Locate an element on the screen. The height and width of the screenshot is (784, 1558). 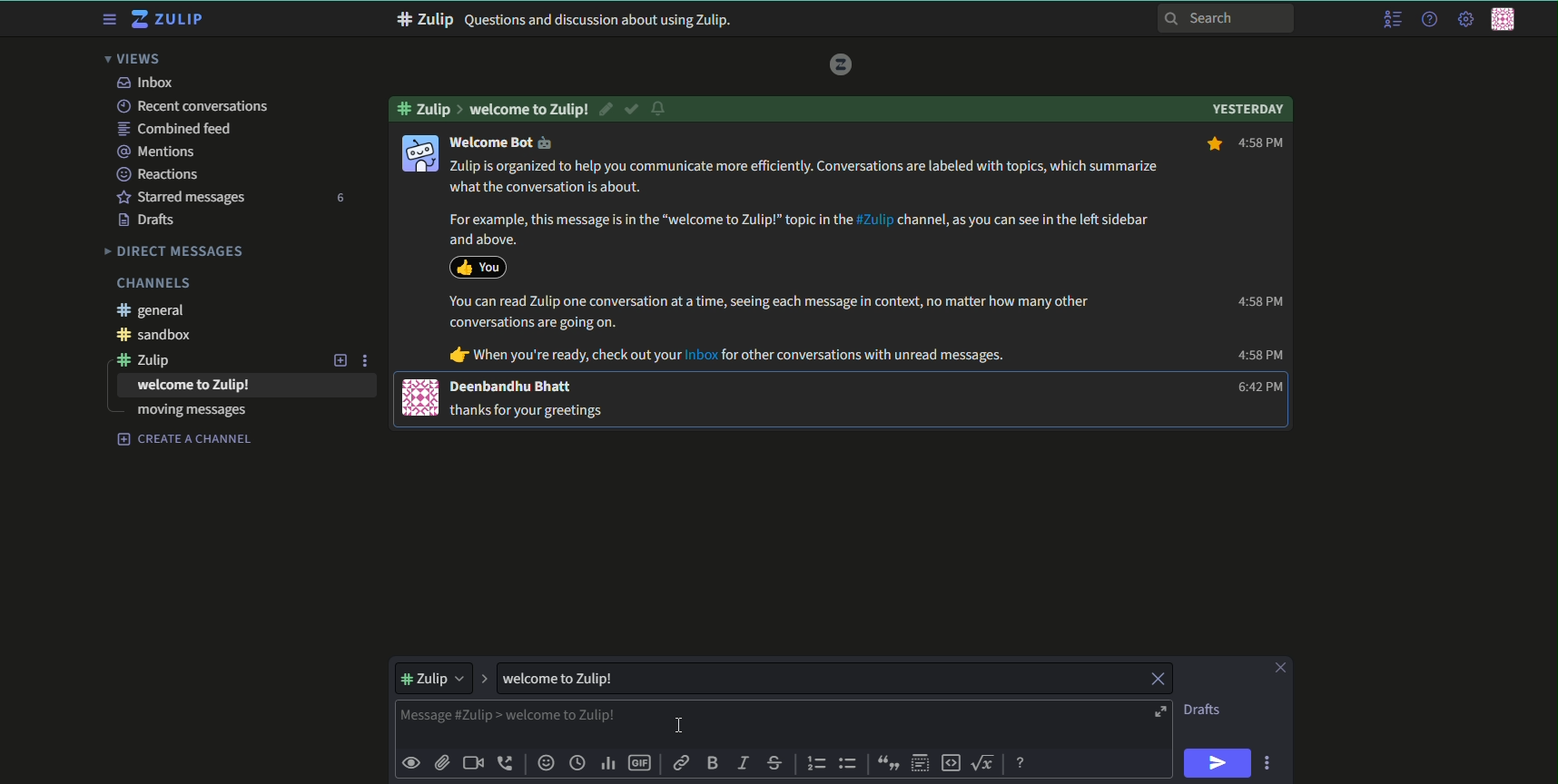
#zulip is located at coordinates (432, 676).